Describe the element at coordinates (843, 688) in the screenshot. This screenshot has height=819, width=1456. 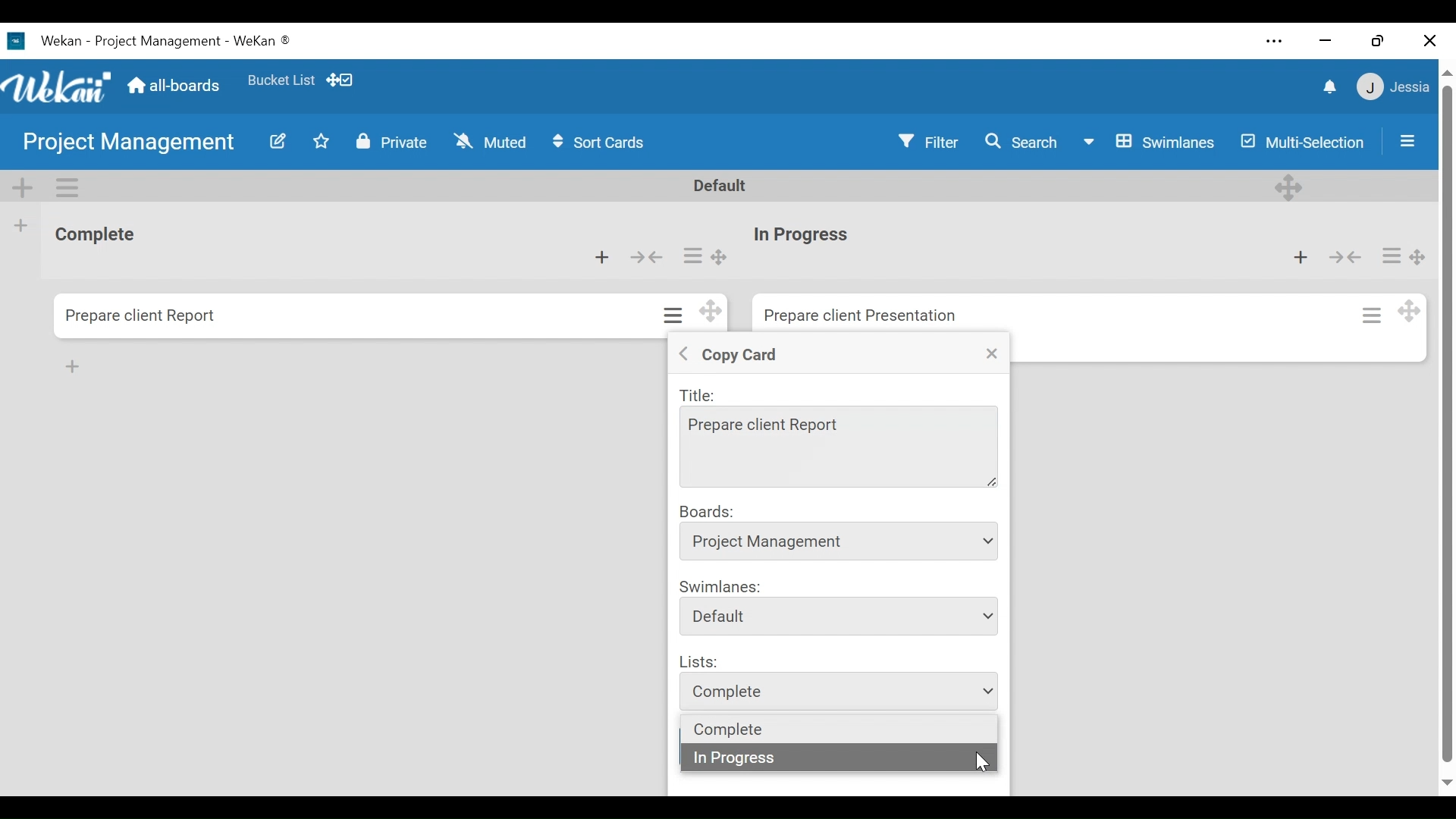
I see `list dropdown menu` at that location.